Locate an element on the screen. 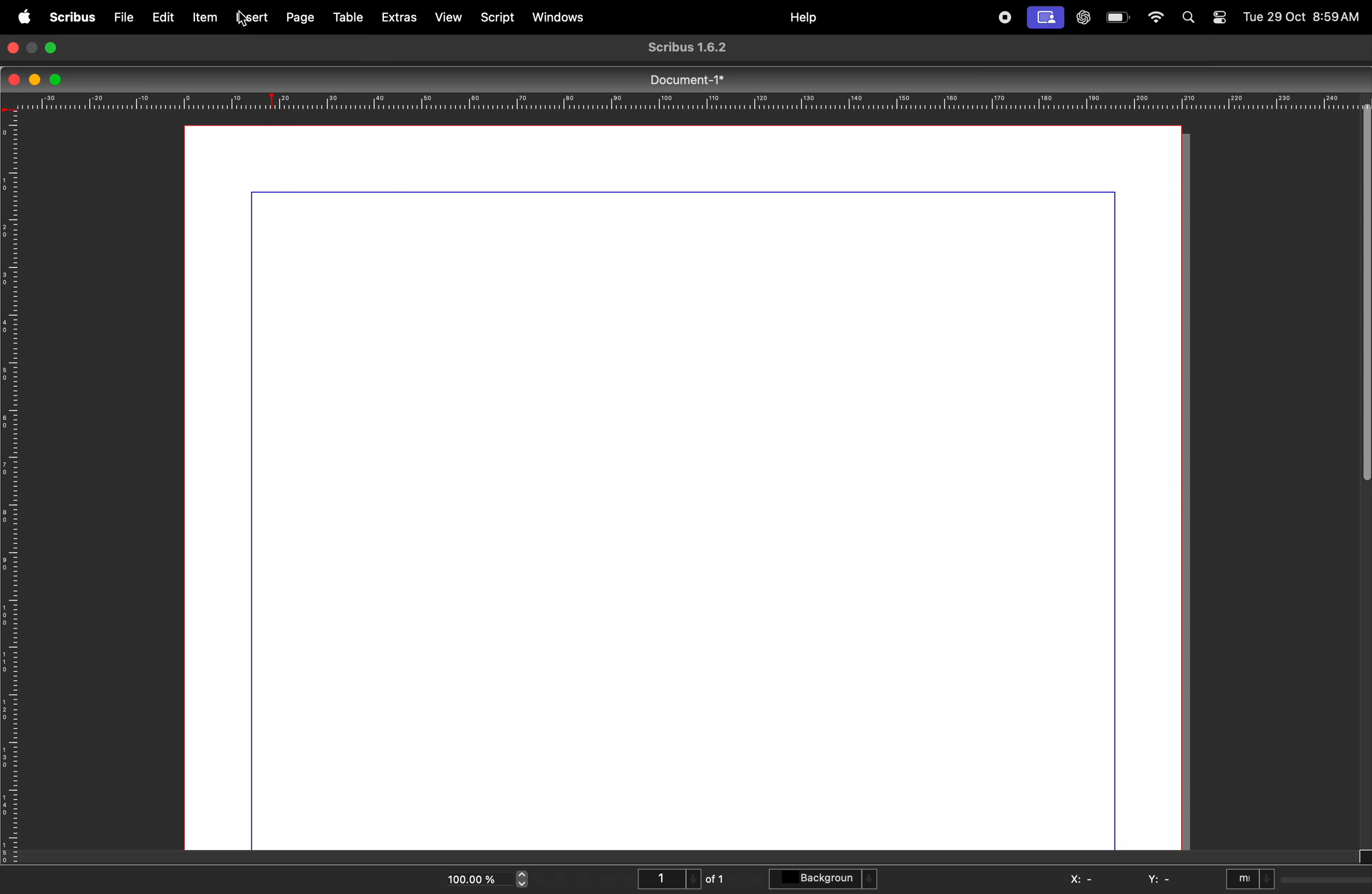 The image size is (1372, 894). windows is located at coordinates (560, 16).